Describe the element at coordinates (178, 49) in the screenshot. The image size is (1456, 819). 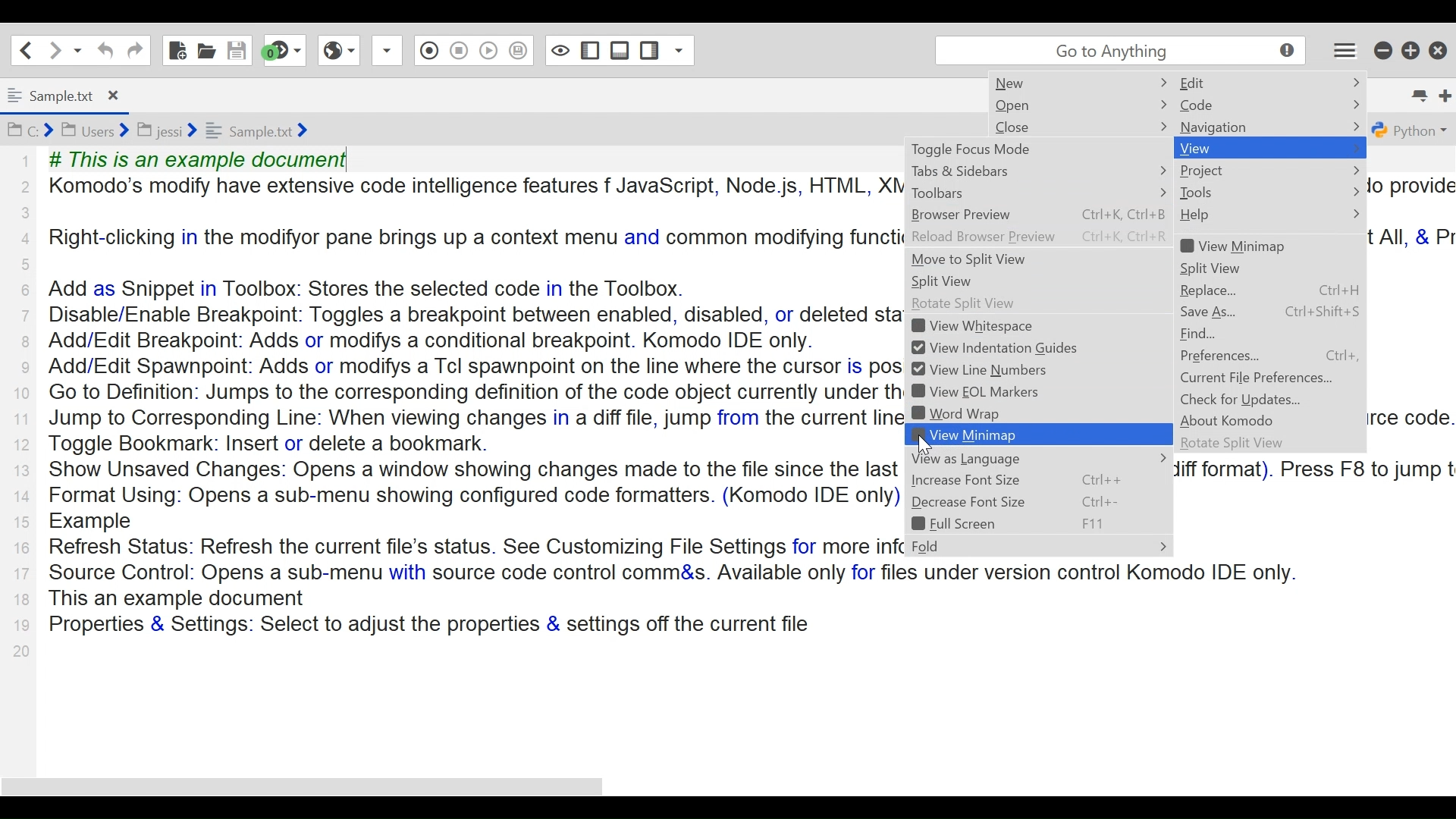
I see `New File` at that location.